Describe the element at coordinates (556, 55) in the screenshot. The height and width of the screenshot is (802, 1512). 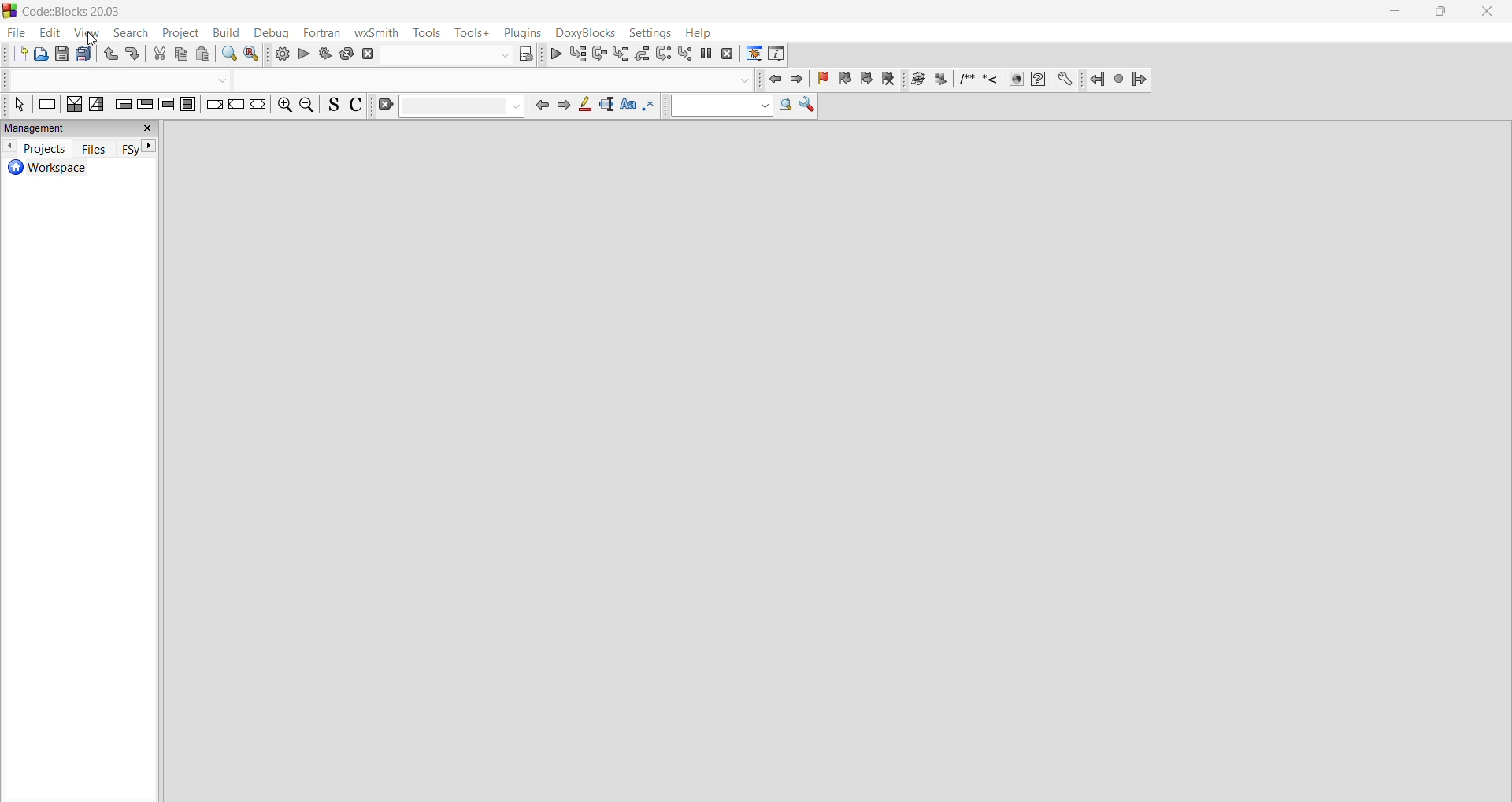
I see `debug/continue` at that location.